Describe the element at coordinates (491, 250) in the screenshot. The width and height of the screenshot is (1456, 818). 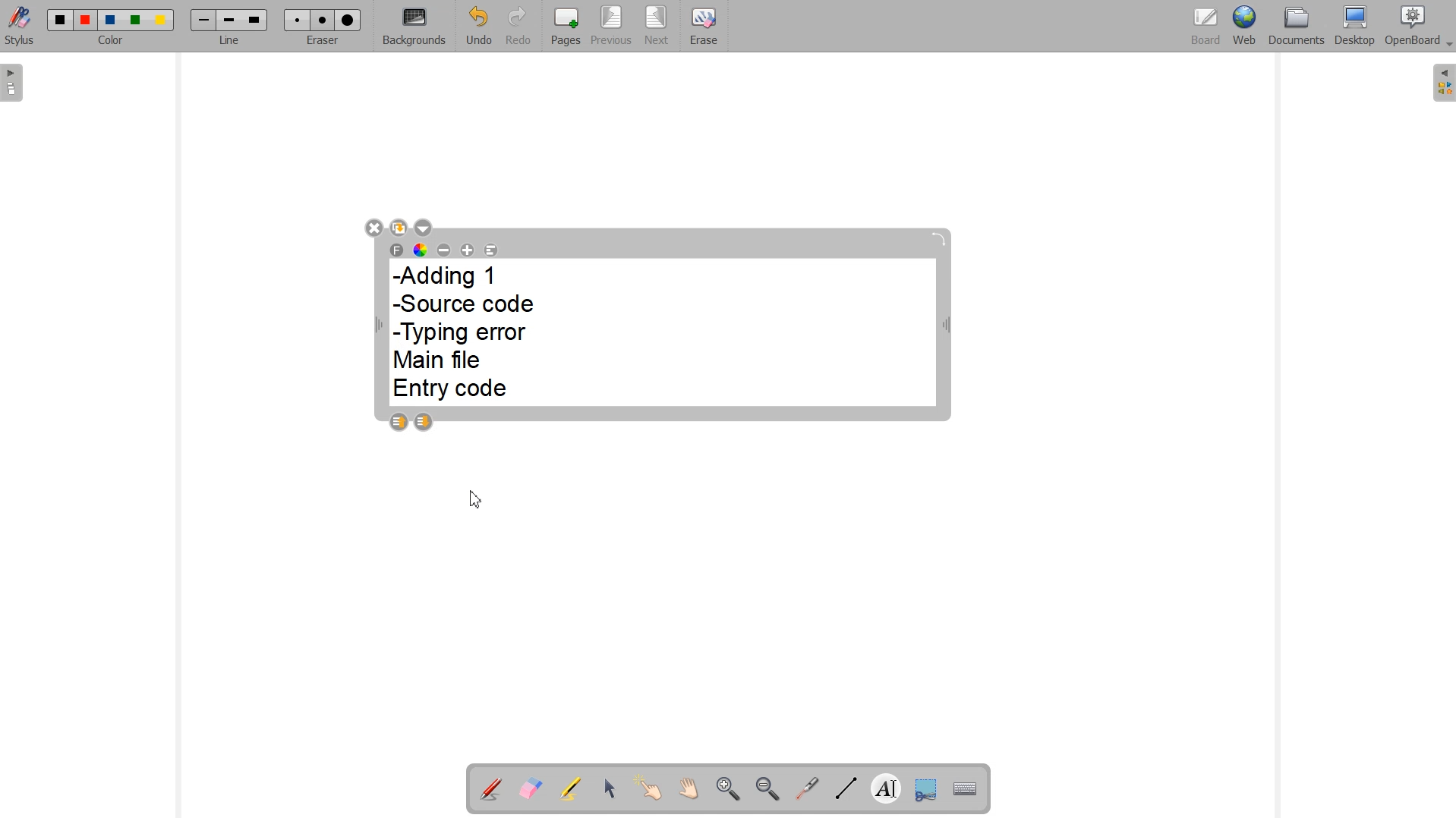
I see `Text Alignment` at that location.